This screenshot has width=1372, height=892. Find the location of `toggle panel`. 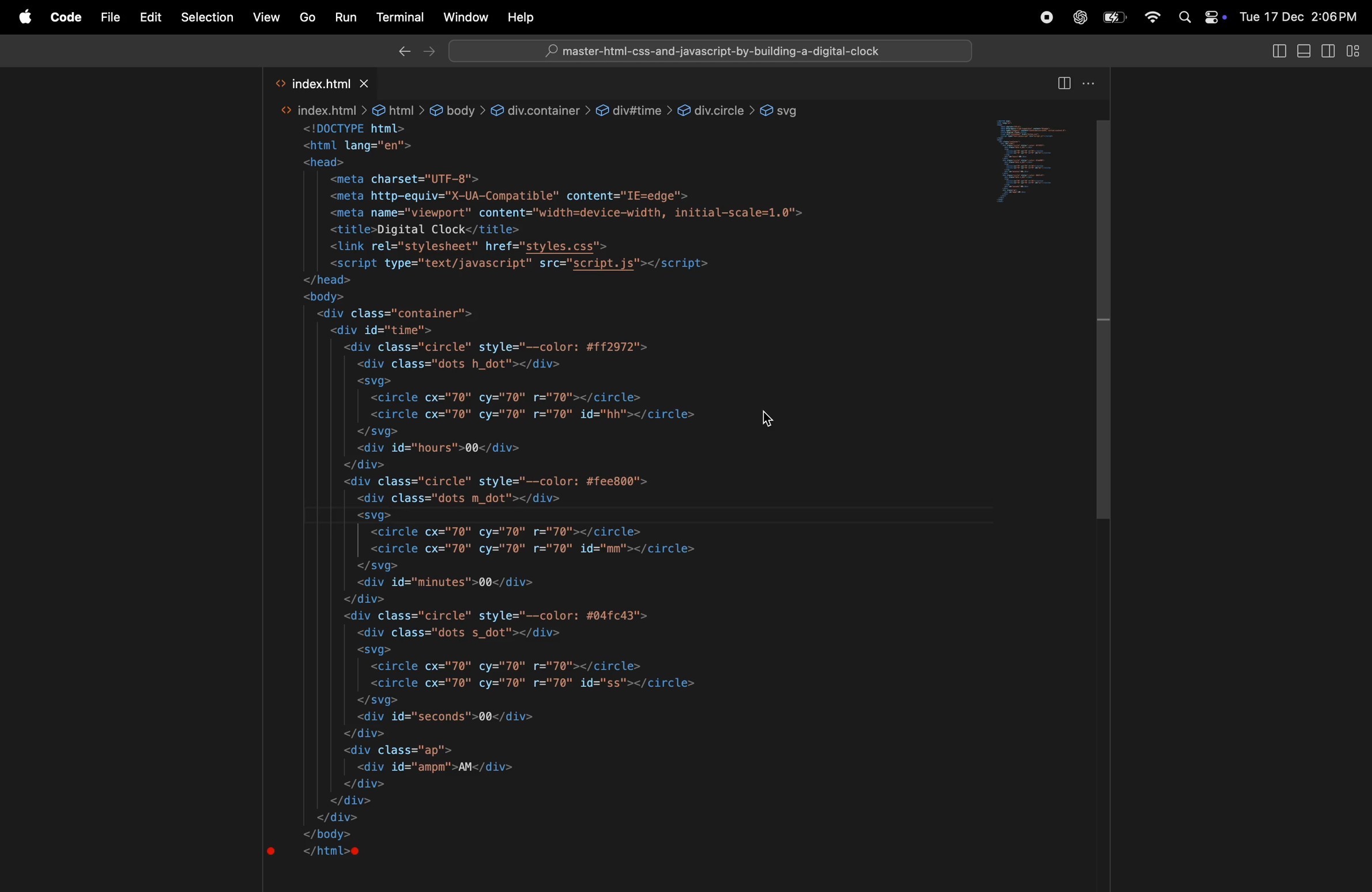

toggle panel is located at coordinates (1036, 165).